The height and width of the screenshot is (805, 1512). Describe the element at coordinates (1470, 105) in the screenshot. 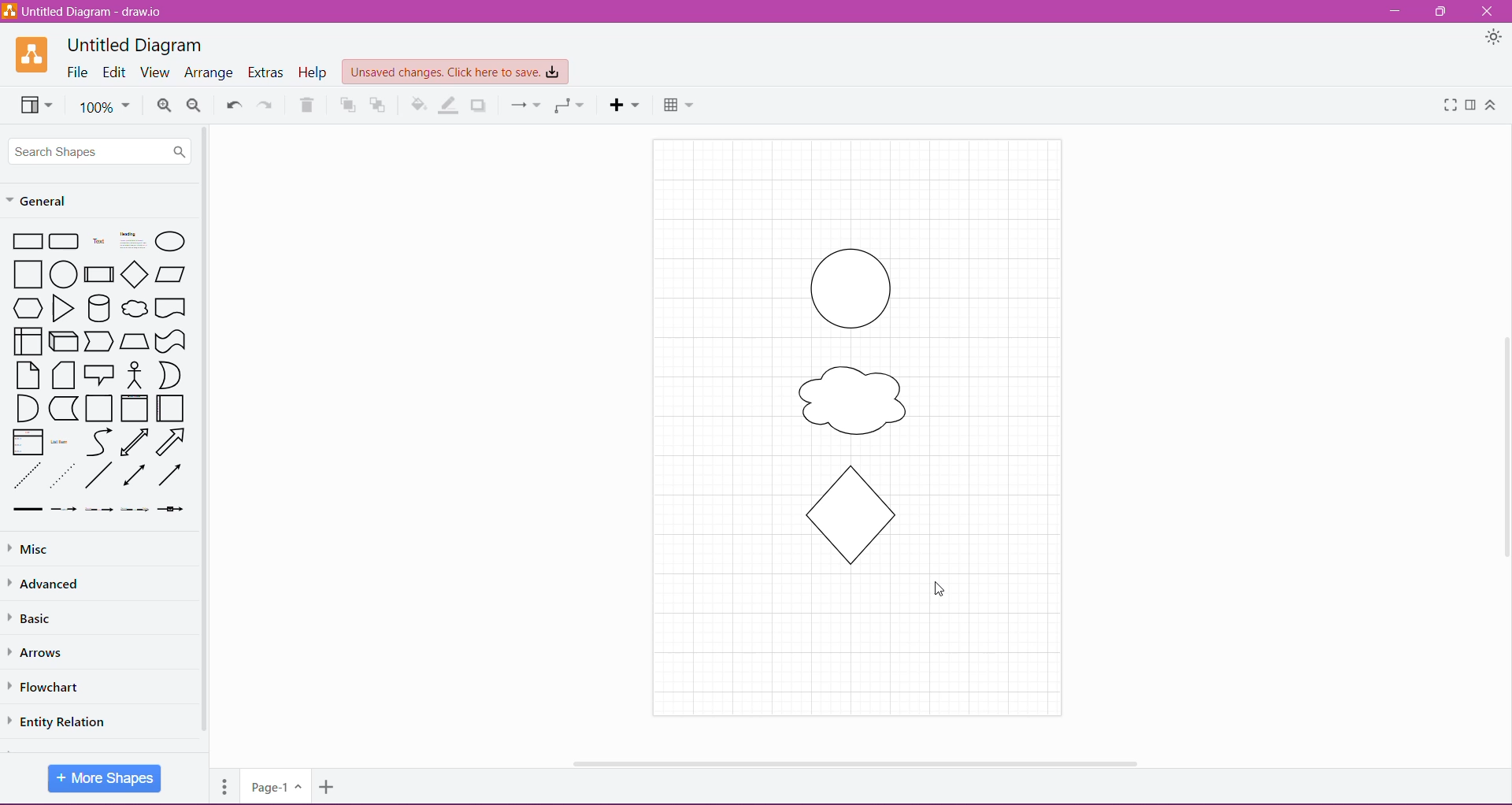

I see `Format` at that location.